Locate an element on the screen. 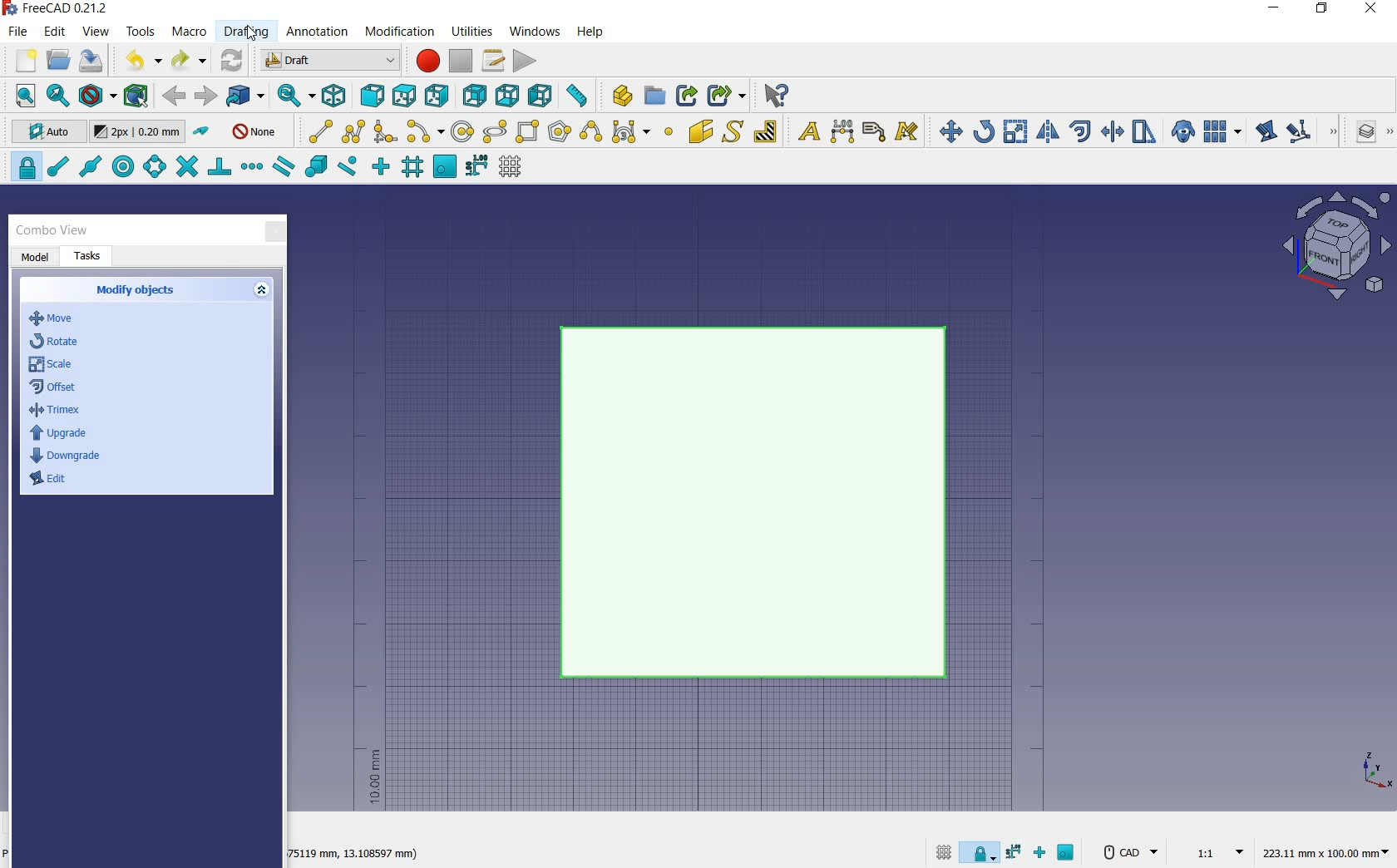 This screenshot has height=868, width=1397. redo is located at coordinates (189, 61).